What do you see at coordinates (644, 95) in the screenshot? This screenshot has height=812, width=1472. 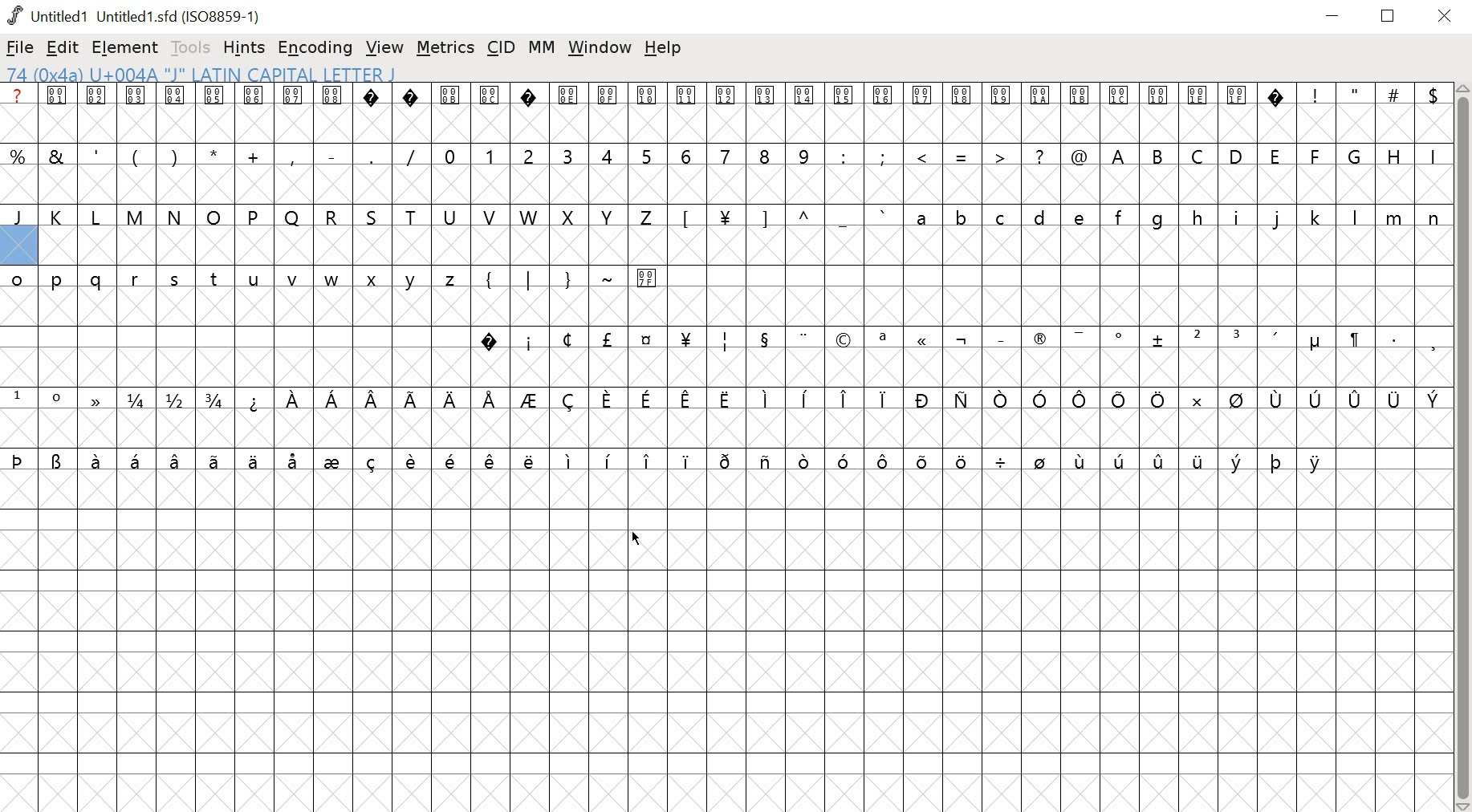 I see `glyph symbols` at bounding box center [644, 95].